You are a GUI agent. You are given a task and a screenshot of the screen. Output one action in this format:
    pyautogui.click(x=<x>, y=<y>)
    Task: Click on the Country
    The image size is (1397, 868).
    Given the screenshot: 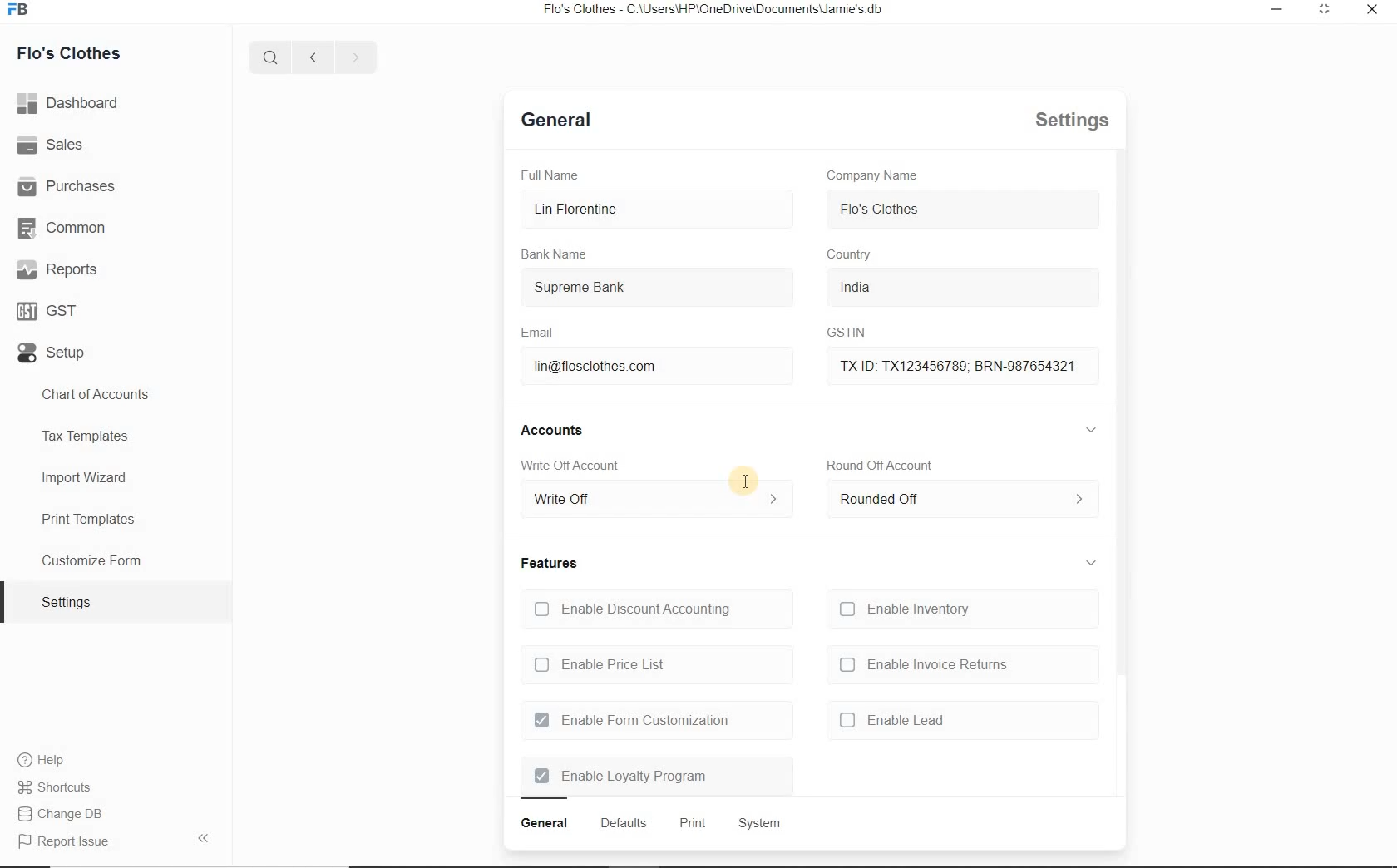 What is the action you would take?
    pyautogui.click(x=851, y=254)
    